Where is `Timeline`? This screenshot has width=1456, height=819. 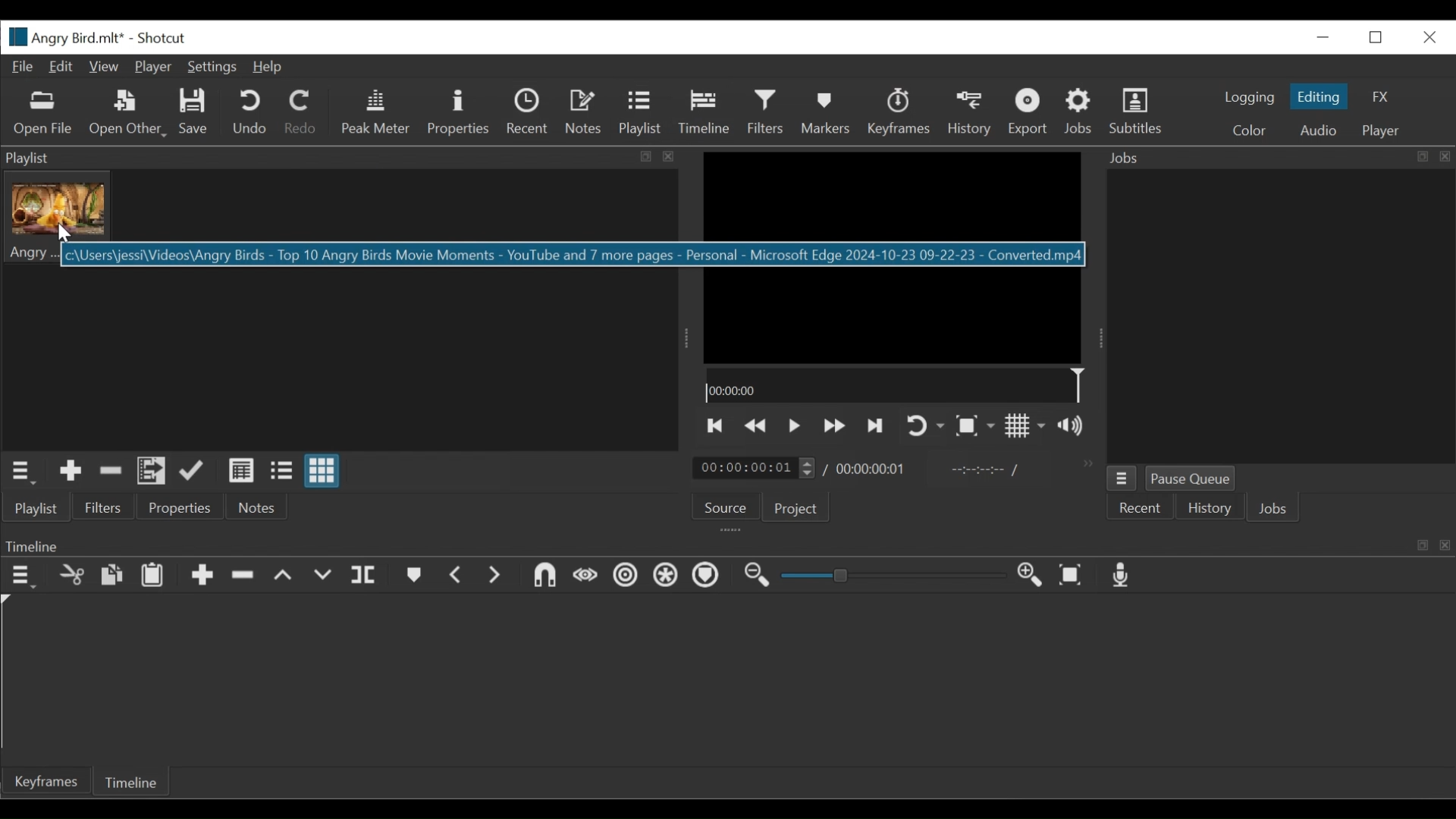
Timeline is located at coordinates (704, 113).